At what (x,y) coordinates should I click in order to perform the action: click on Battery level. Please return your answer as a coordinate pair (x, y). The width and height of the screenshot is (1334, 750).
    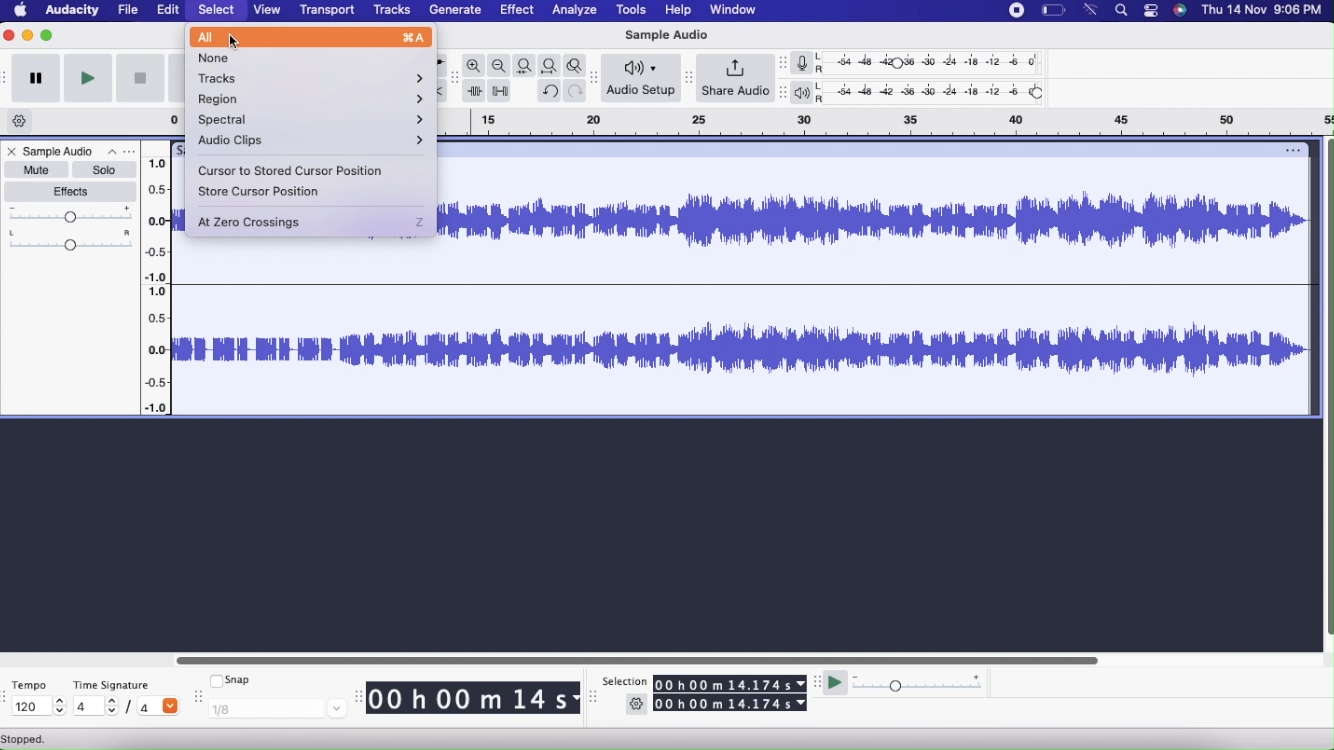
    Looking at the image, I should click on (1055, 10).